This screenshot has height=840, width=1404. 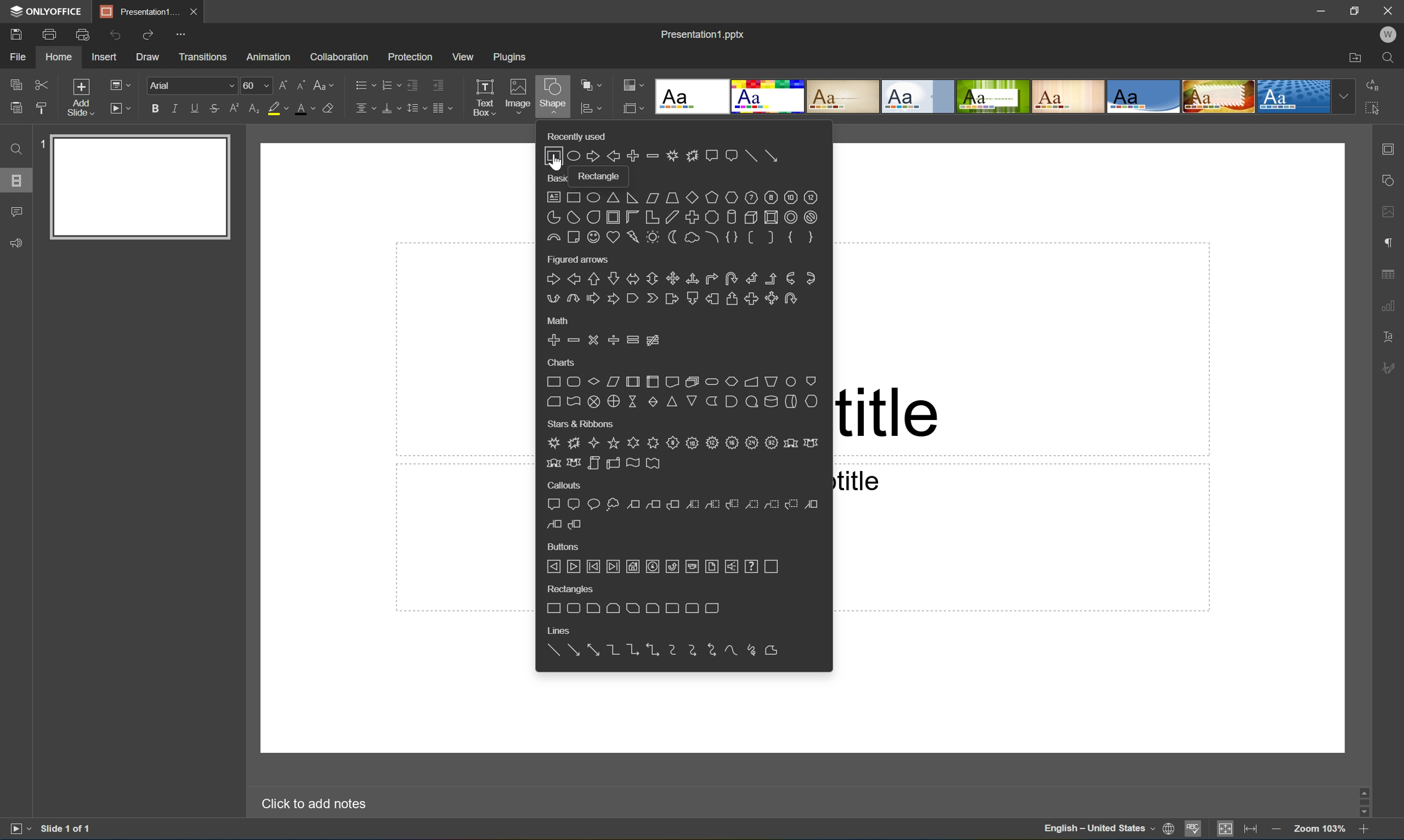 What do you see at coordinates (1319, 829) in the screenshot?
I see `Zoom 103%` at bounding box center [1319, 829].